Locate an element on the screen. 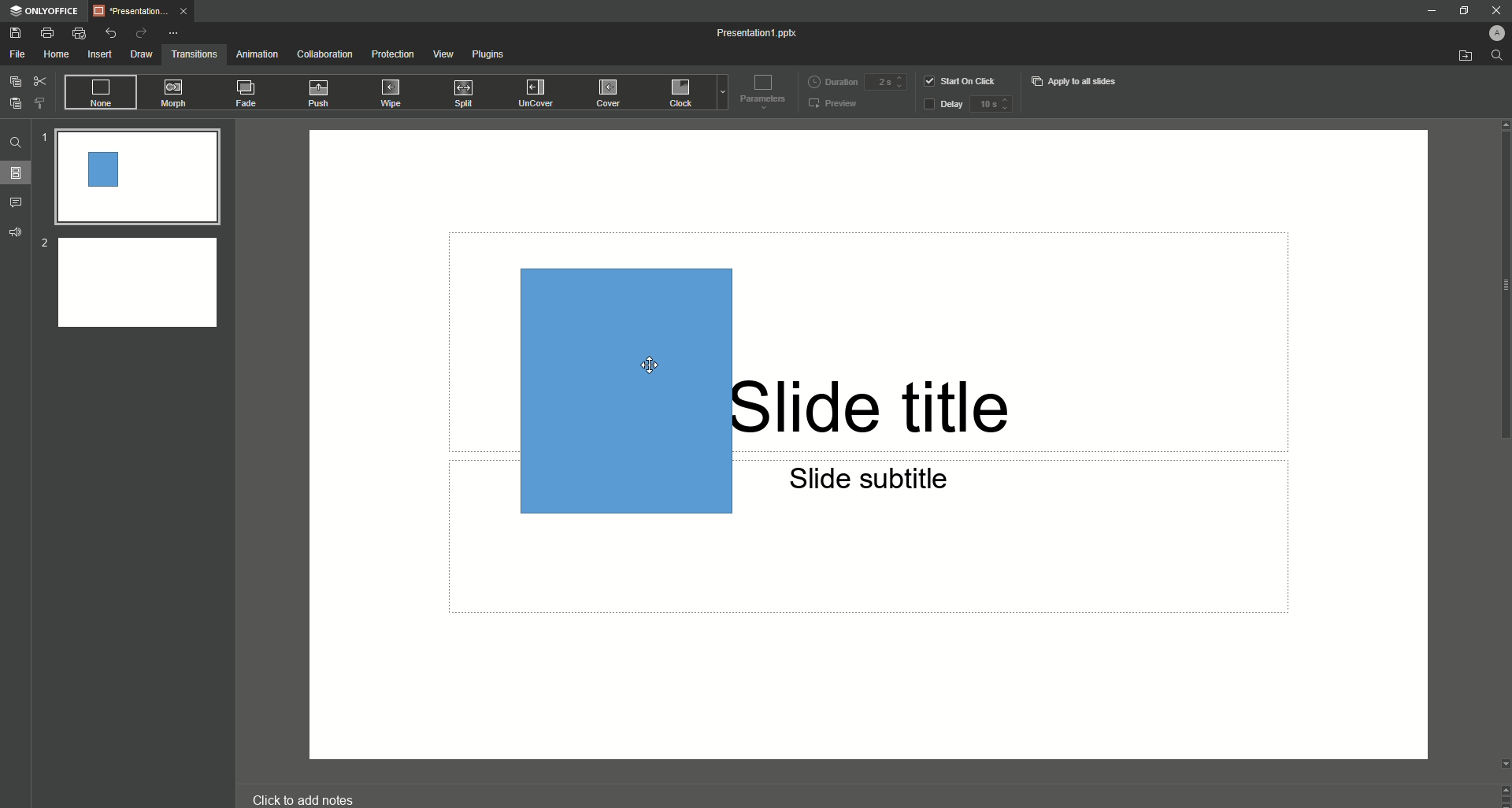 The height and width of the screenshot is (808, 1512). Slide title is located at coordinates (877, 405).